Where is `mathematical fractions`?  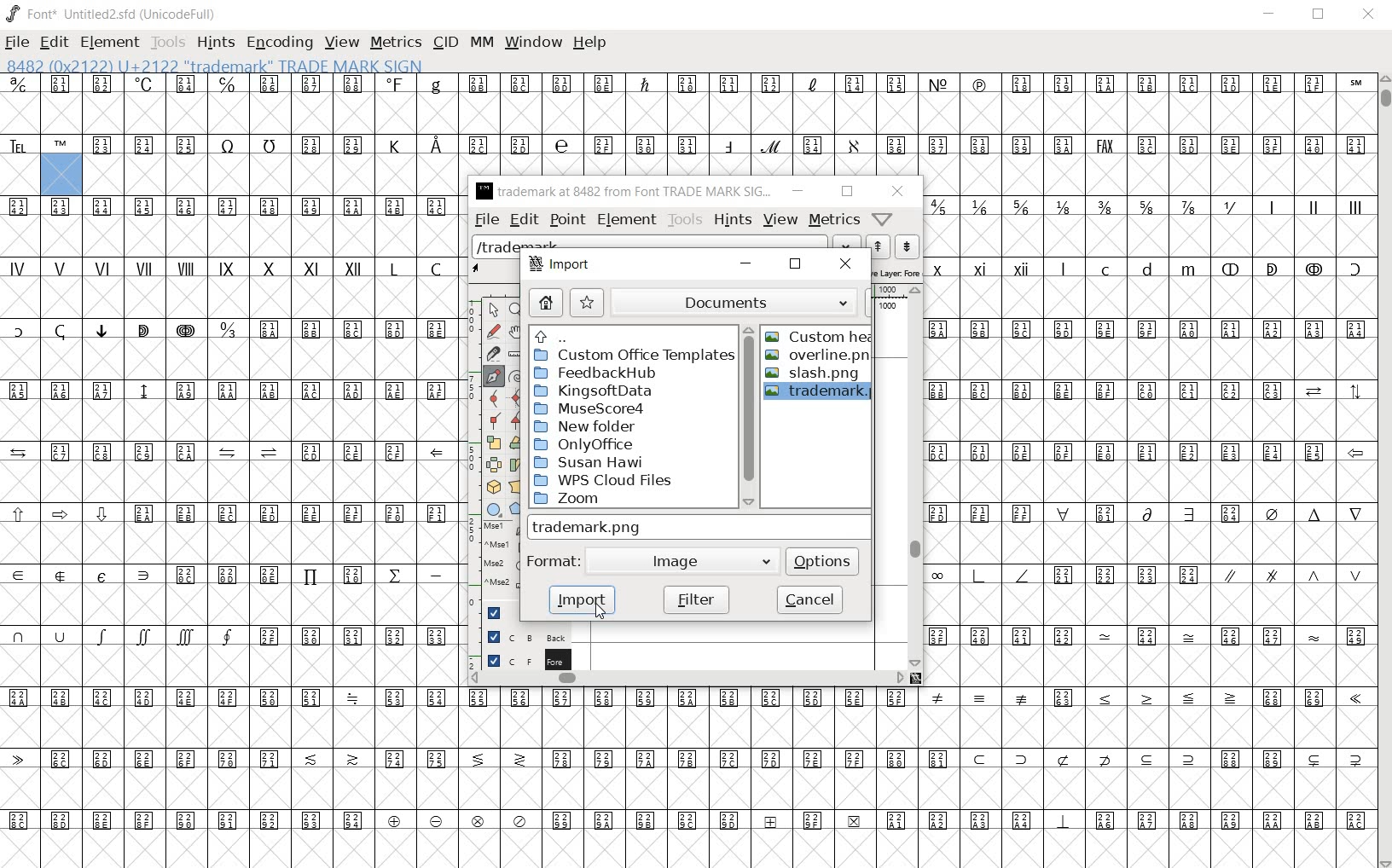 mathematical fractions is located at coordinates (1085, 223).